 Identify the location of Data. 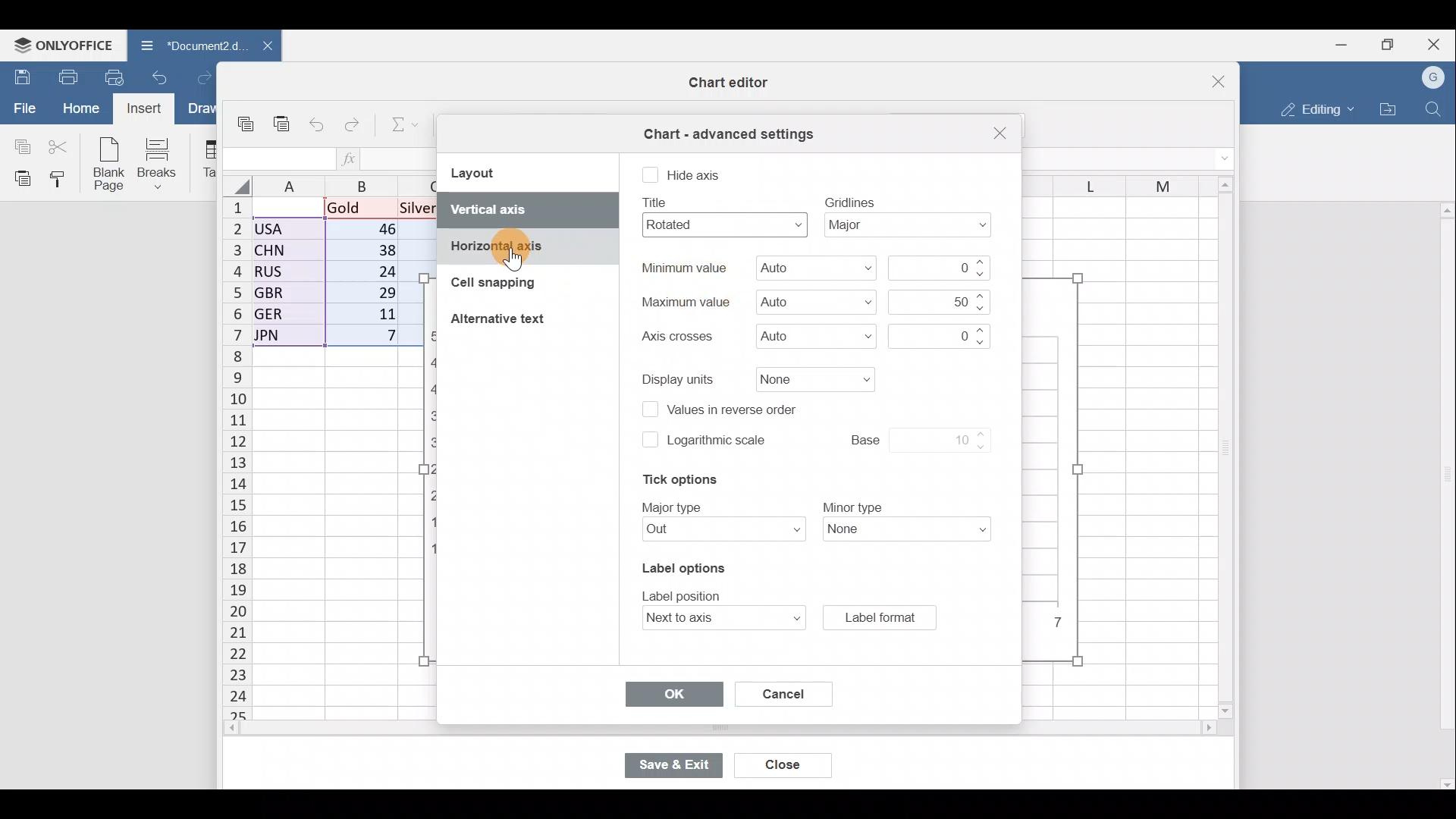
(331, 277).